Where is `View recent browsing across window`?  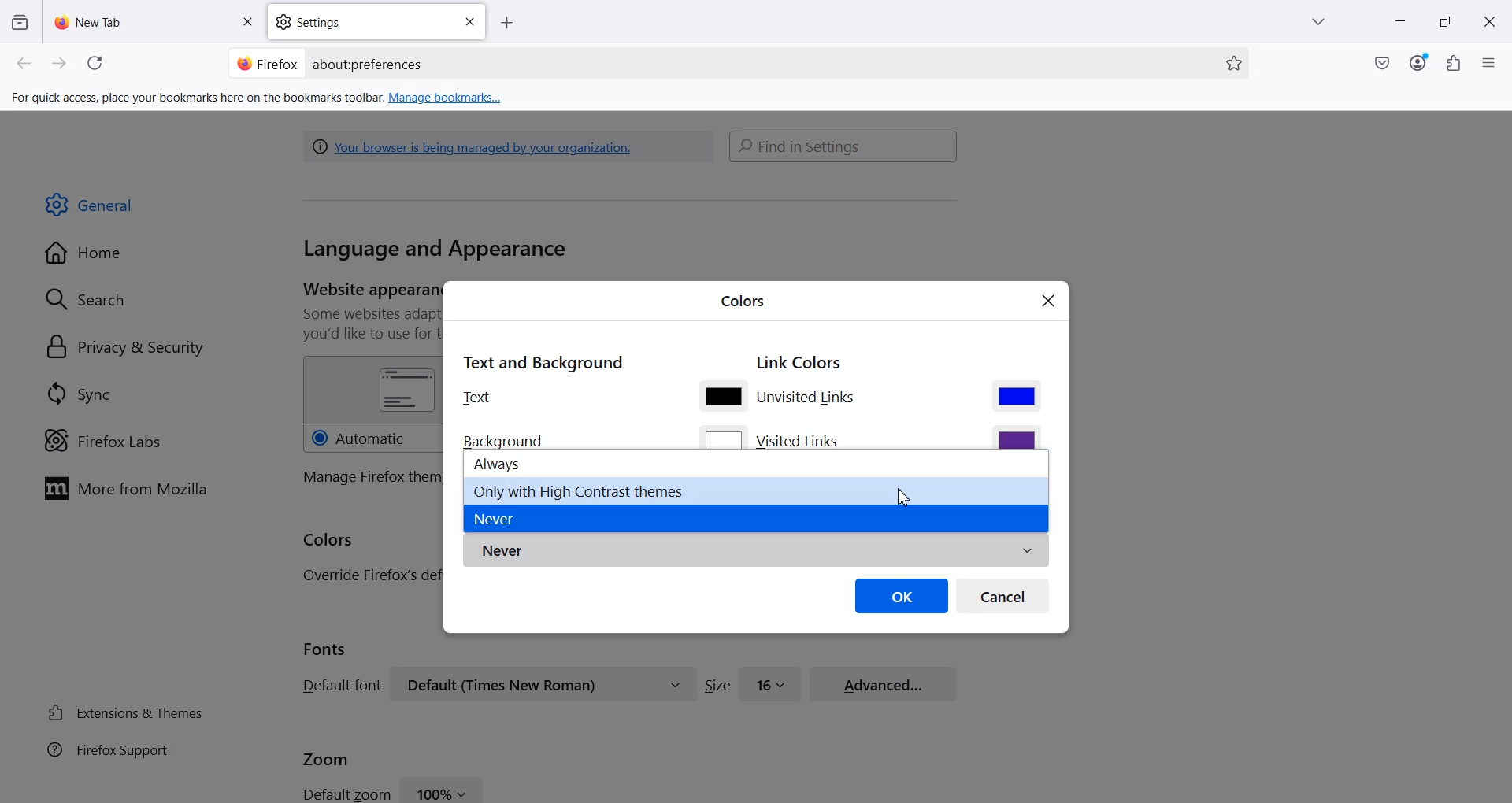 View recent browsing across window is located at coordinates (19, 21).